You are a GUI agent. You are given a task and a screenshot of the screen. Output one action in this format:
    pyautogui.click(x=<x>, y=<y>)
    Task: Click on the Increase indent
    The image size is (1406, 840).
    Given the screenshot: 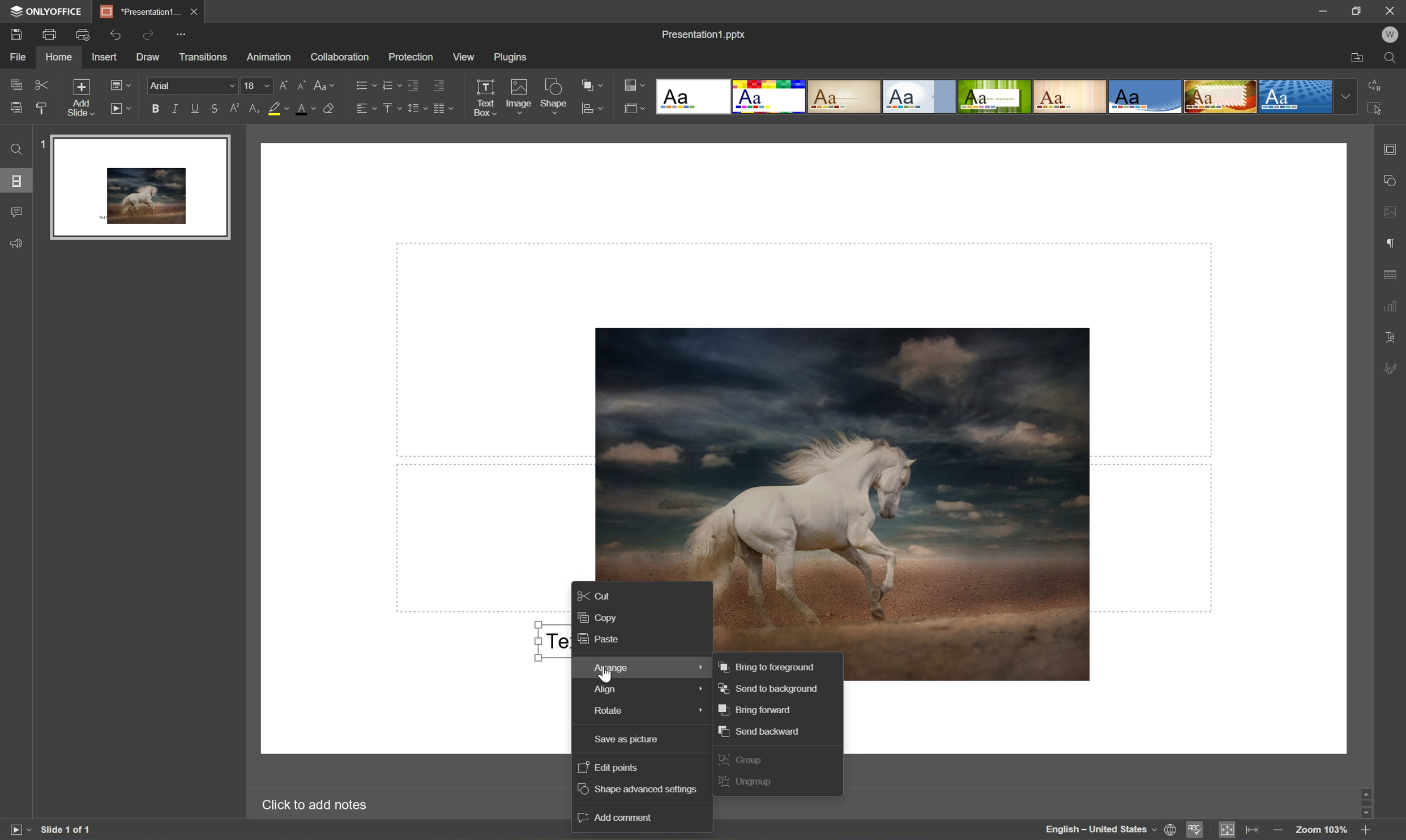 What is the action you would take?
    pyautogui.click(x=441, y=82)
    